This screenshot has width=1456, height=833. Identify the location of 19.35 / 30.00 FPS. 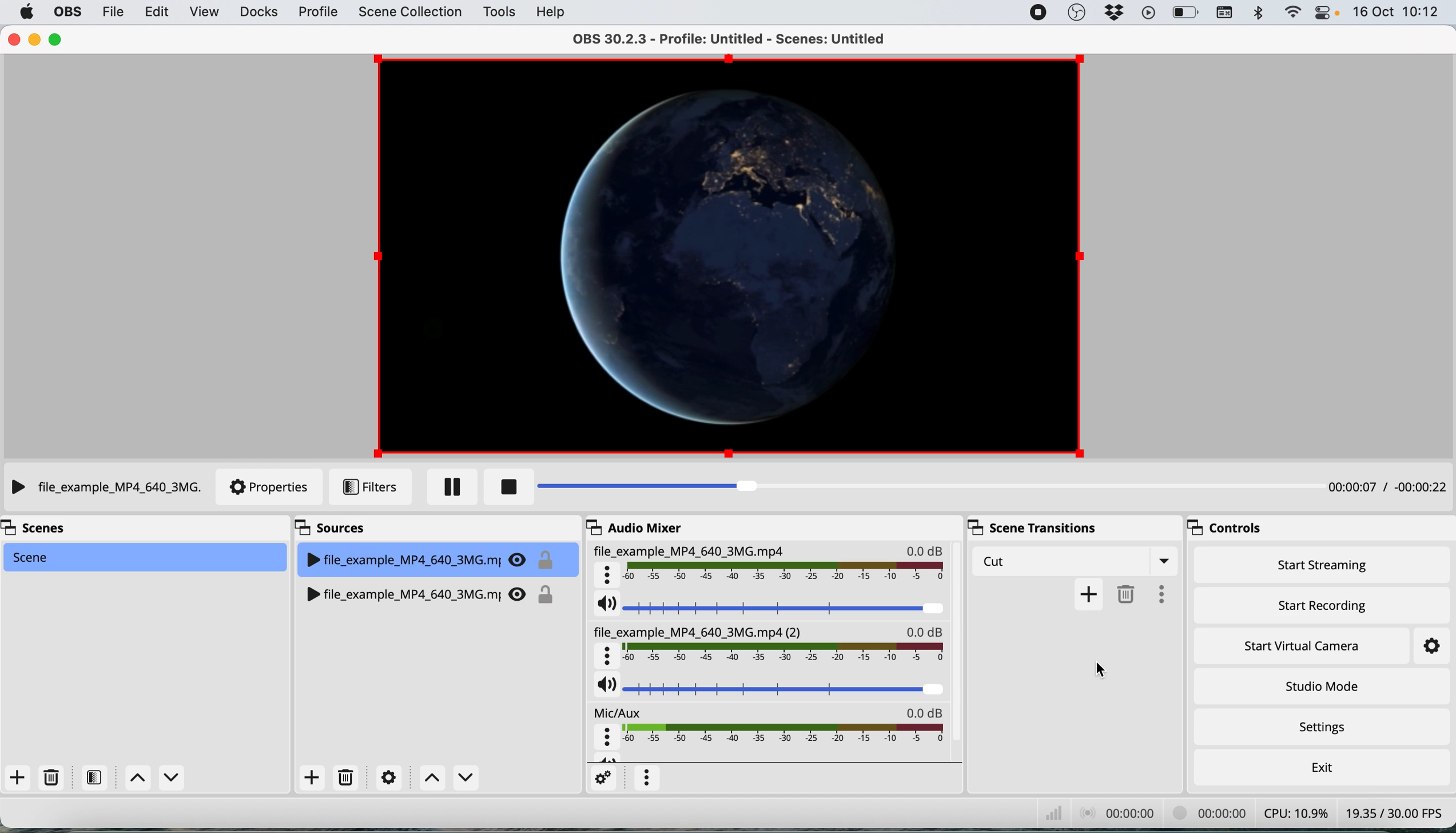
(1394, 813).